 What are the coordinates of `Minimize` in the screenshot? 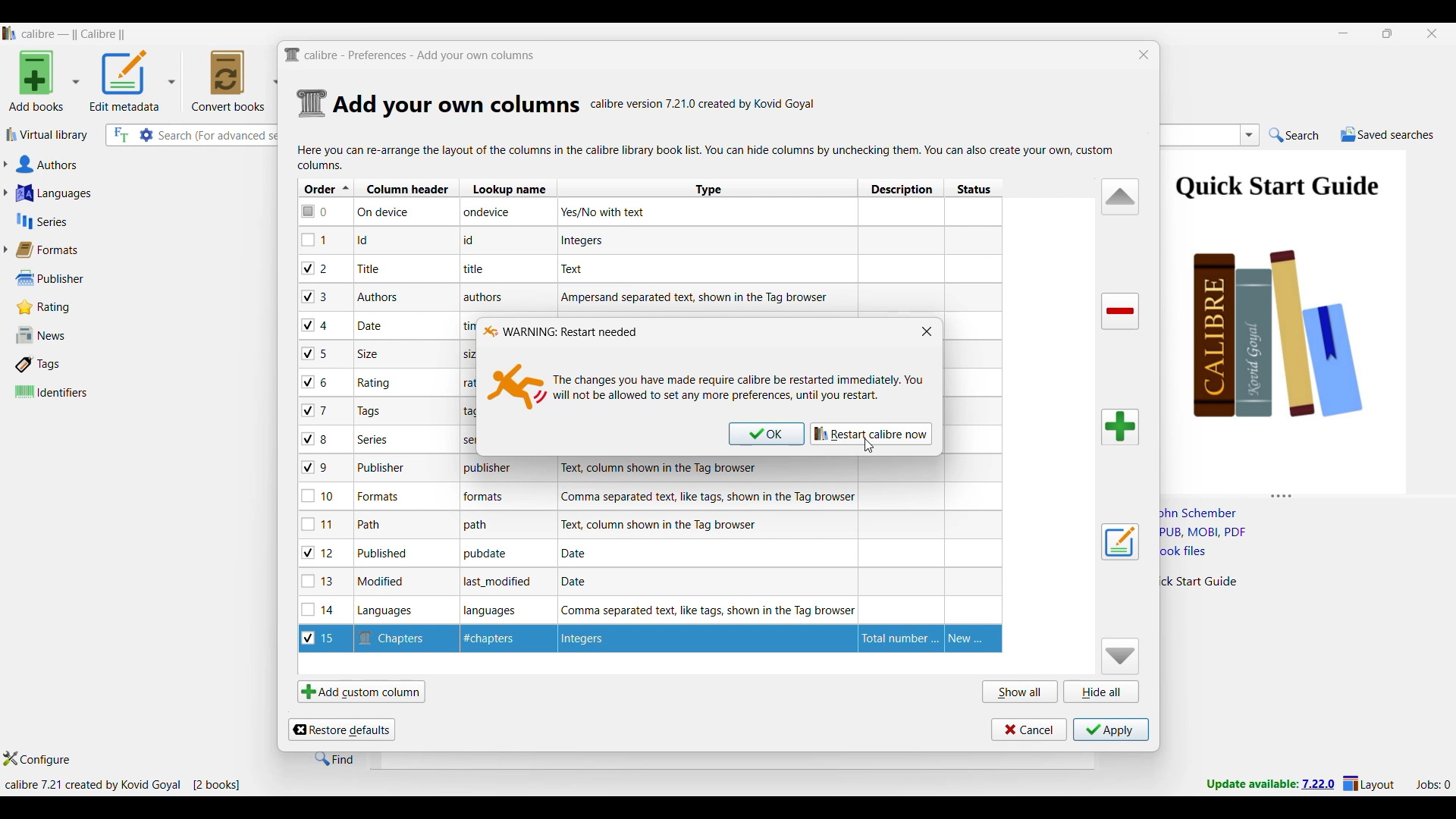 It's located at (1344, 33).